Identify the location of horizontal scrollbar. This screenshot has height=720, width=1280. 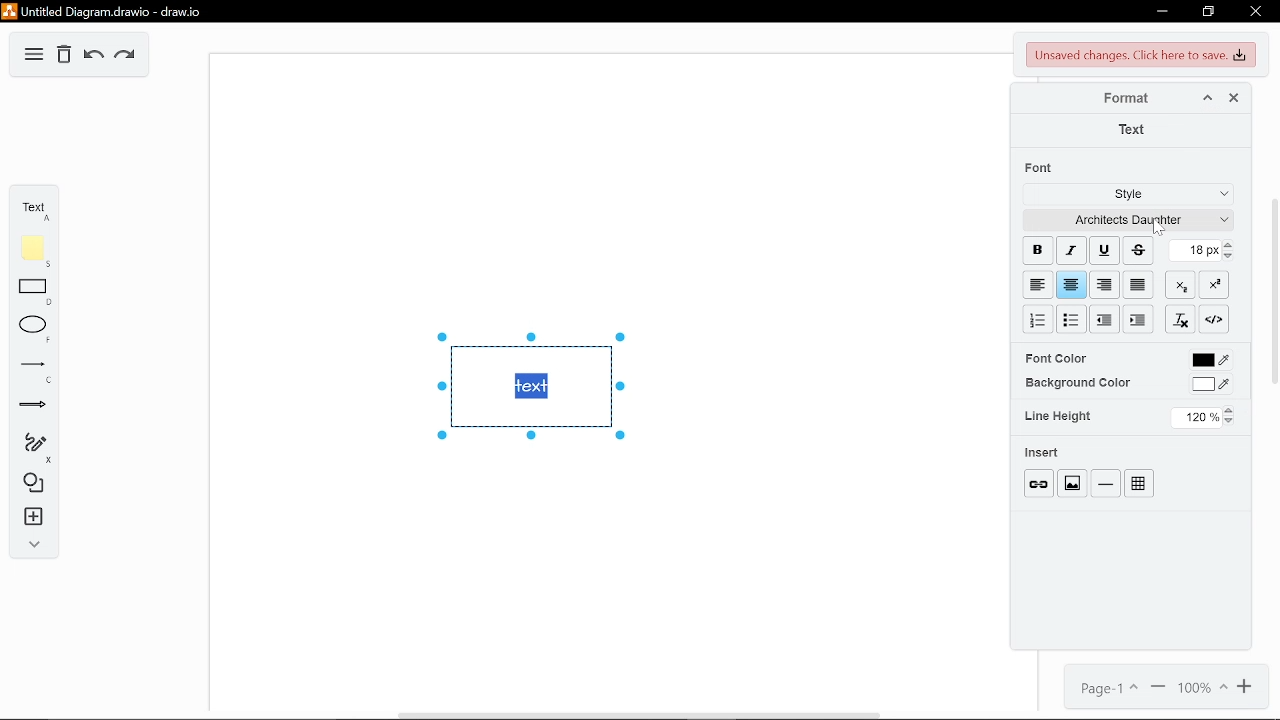
(639, 715).